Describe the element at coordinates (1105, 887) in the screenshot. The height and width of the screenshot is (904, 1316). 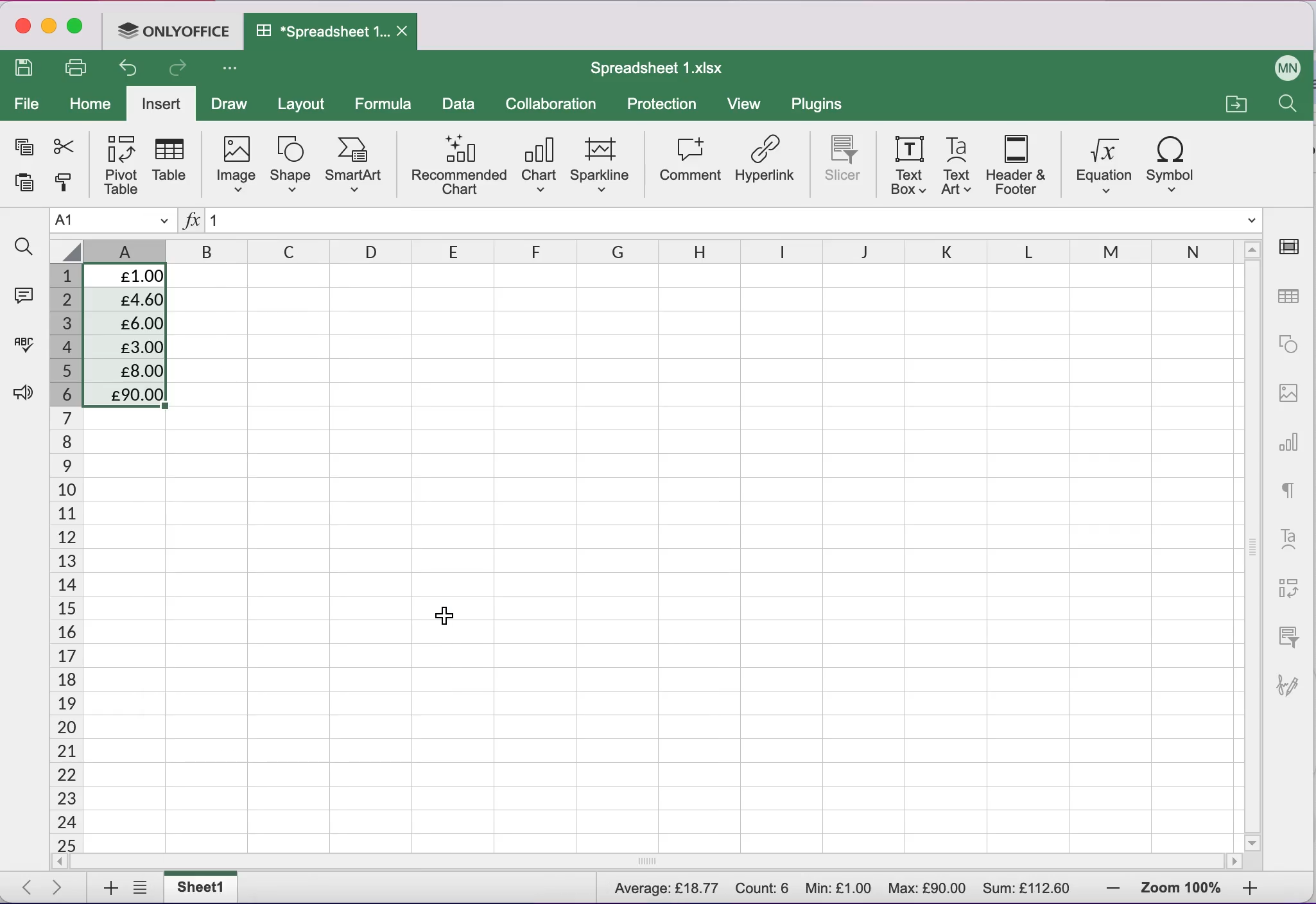
I see `zoom out` at that location.